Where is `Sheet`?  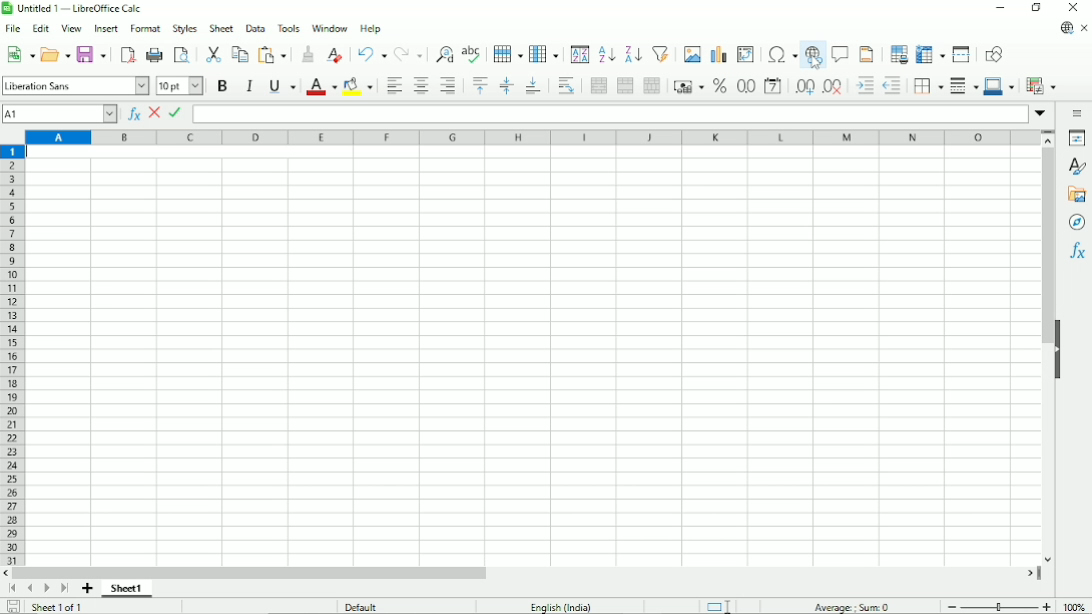 Sheet is located at coordinates (222, 28).